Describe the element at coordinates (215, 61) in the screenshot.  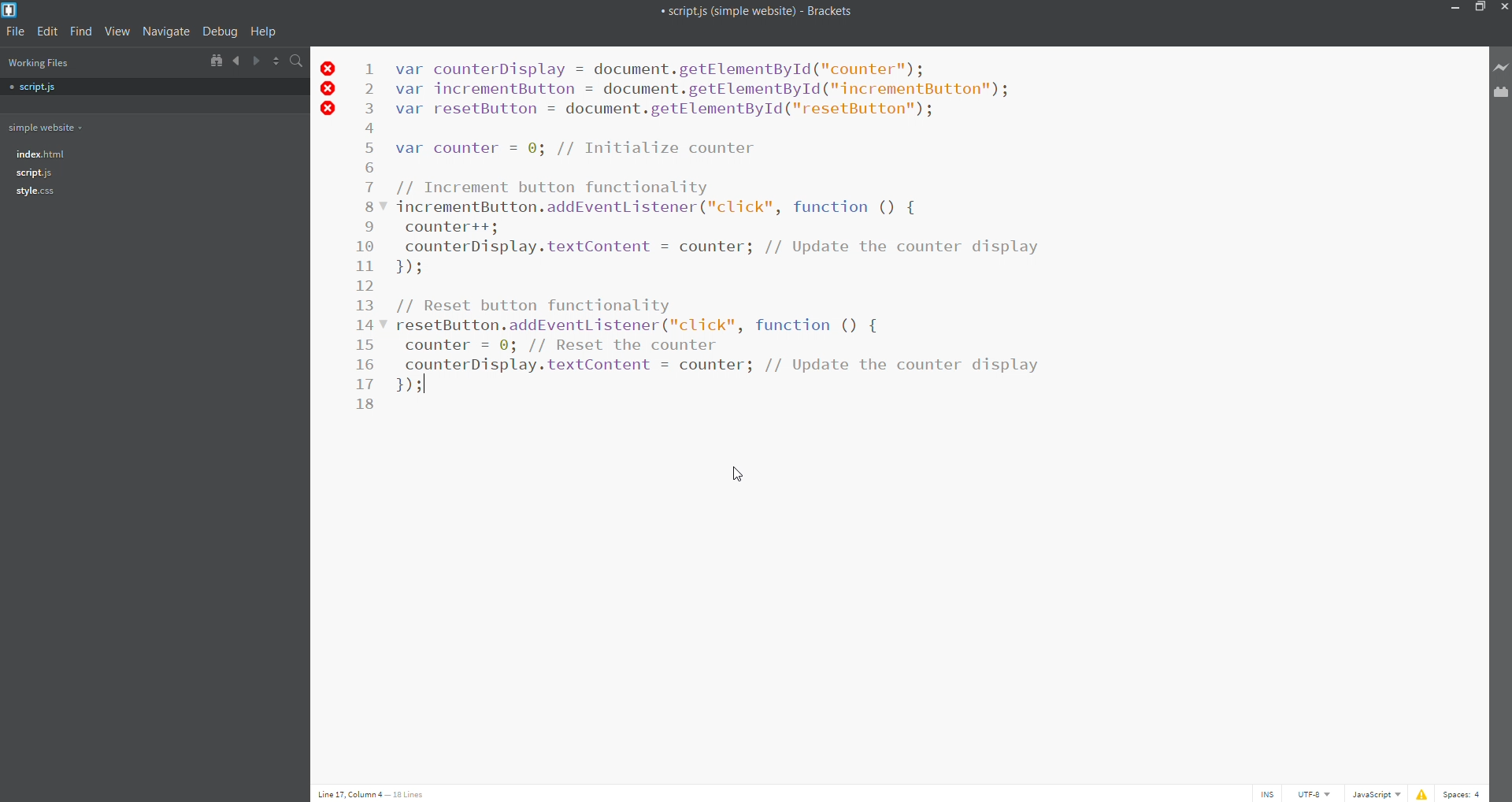
I see `show in file tree` at that location.